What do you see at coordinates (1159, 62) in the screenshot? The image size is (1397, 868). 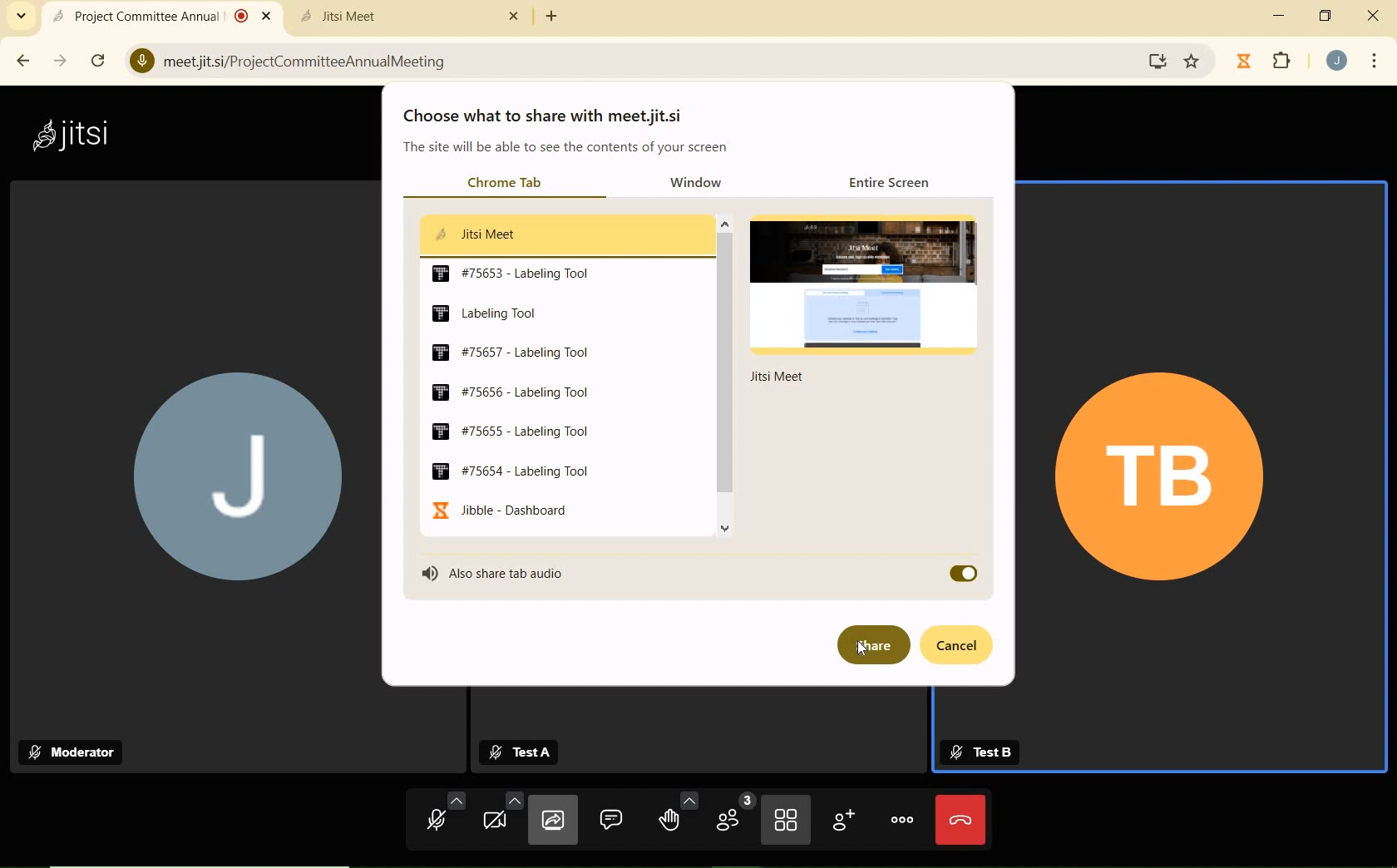 I see `Download webpage` at bounding box center [1159, 62].